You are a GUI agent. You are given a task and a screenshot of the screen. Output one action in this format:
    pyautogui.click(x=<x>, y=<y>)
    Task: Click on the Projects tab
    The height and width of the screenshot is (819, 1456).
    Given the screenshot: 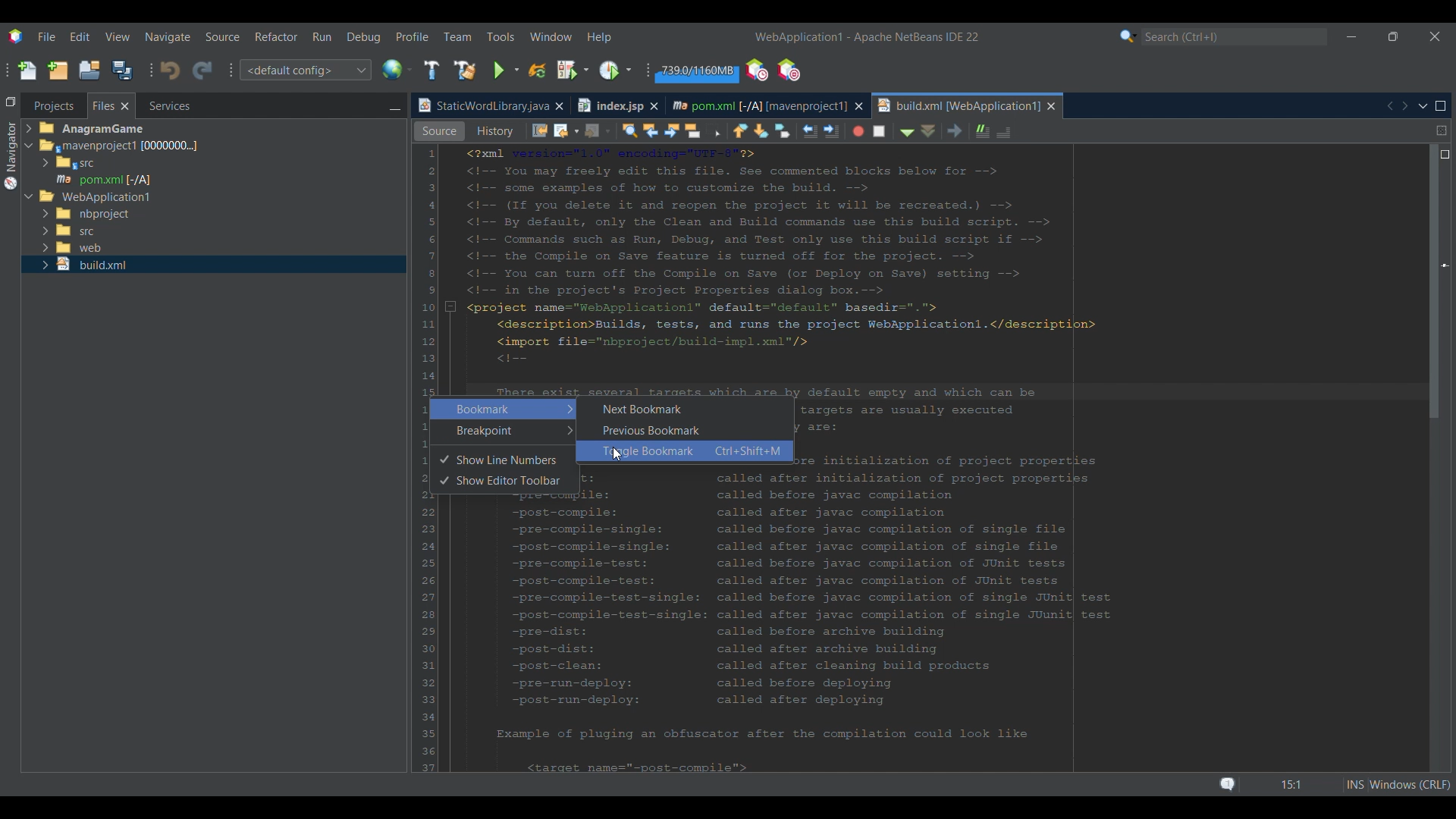 What is the action you would take?
    pyautogui.click(x=53, y=105)
    